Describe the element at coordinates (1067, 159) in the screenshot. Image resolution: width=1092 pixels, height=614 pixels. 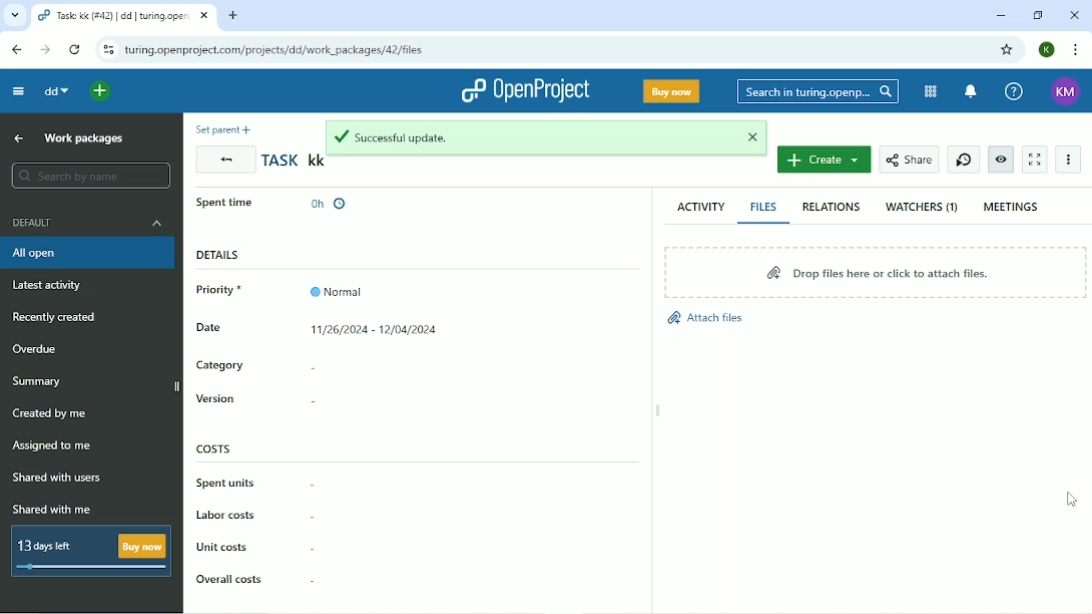
I see `More actions` at that location.